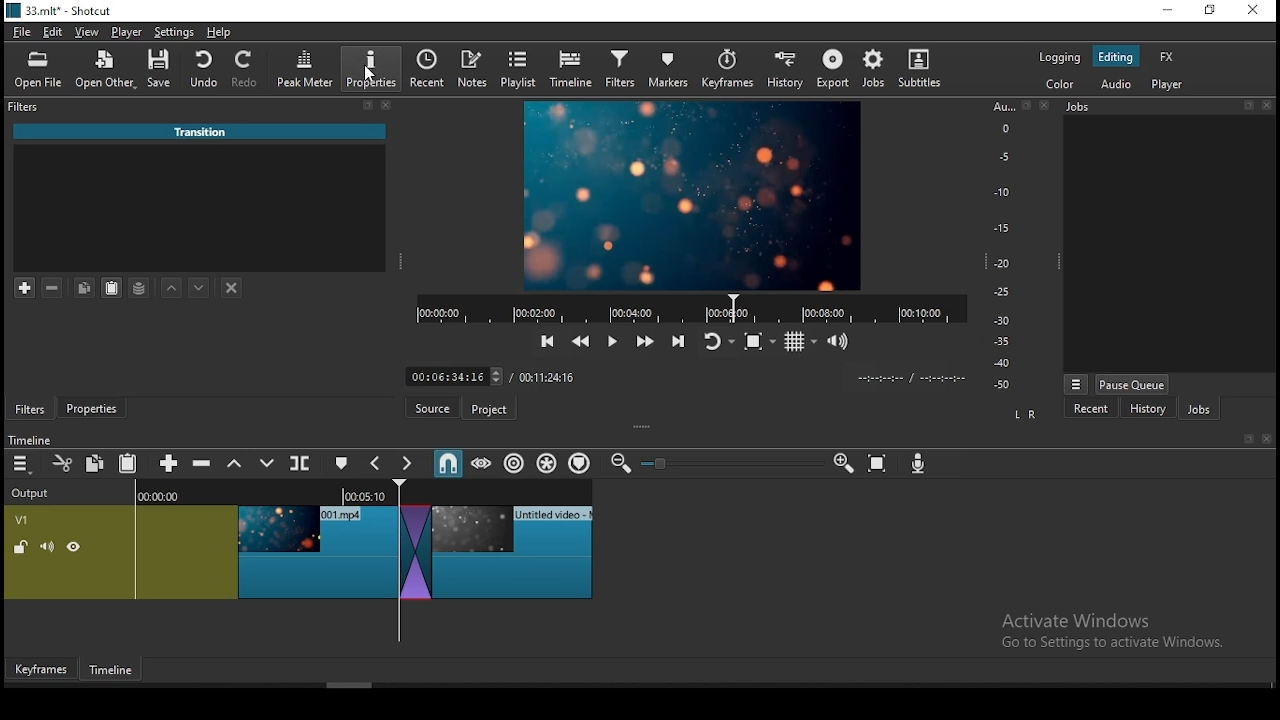  Describe the element at coordinates (680, 375) in the screenshot. I see `` at that location.